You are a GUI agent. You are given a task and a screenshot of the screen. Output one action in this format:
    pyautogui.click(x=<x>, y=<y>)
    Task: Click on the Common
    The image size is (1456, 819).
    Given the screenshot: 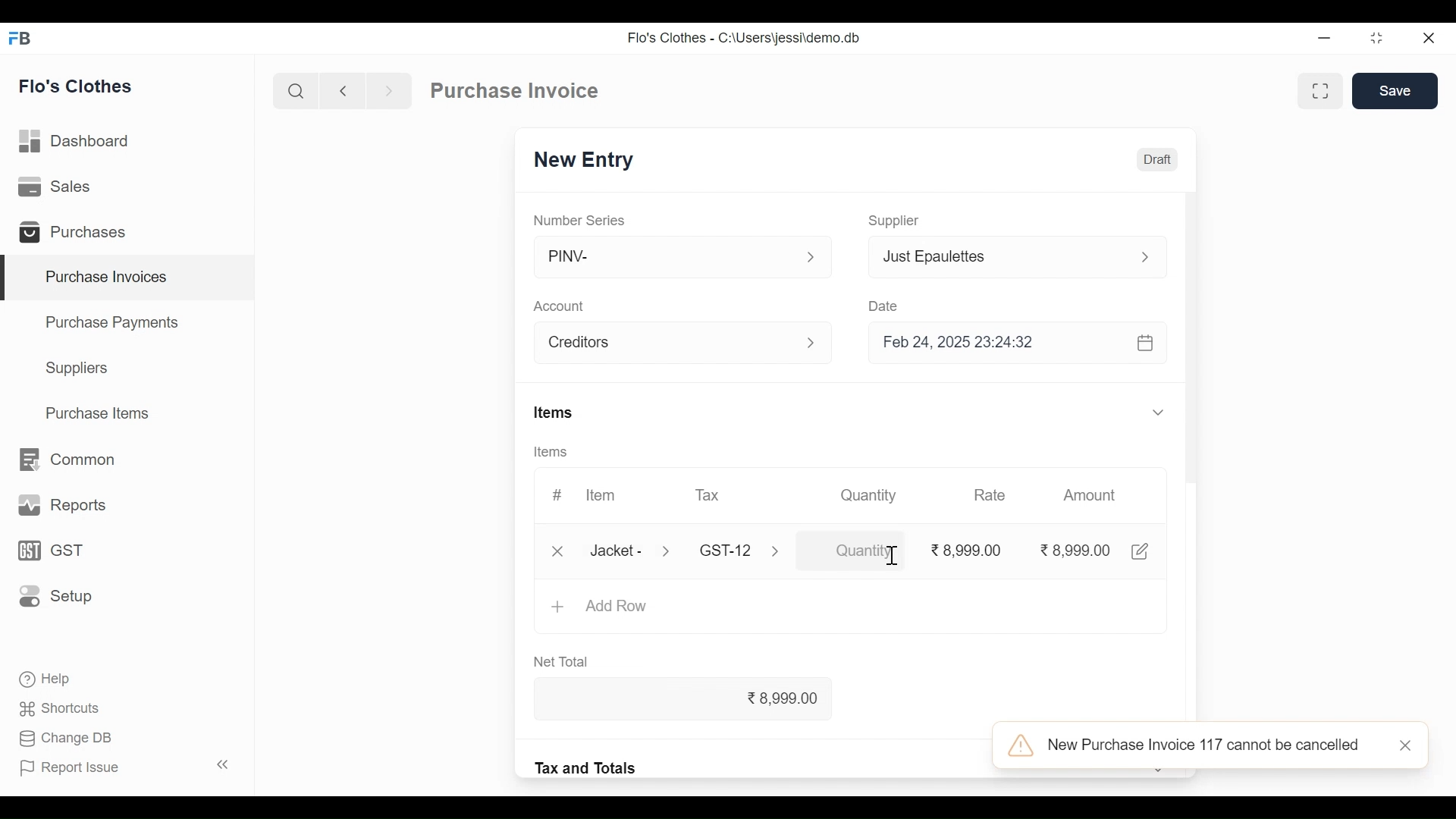 What is the action you would take?
    pyautogui.click(x=70, y=459)
    